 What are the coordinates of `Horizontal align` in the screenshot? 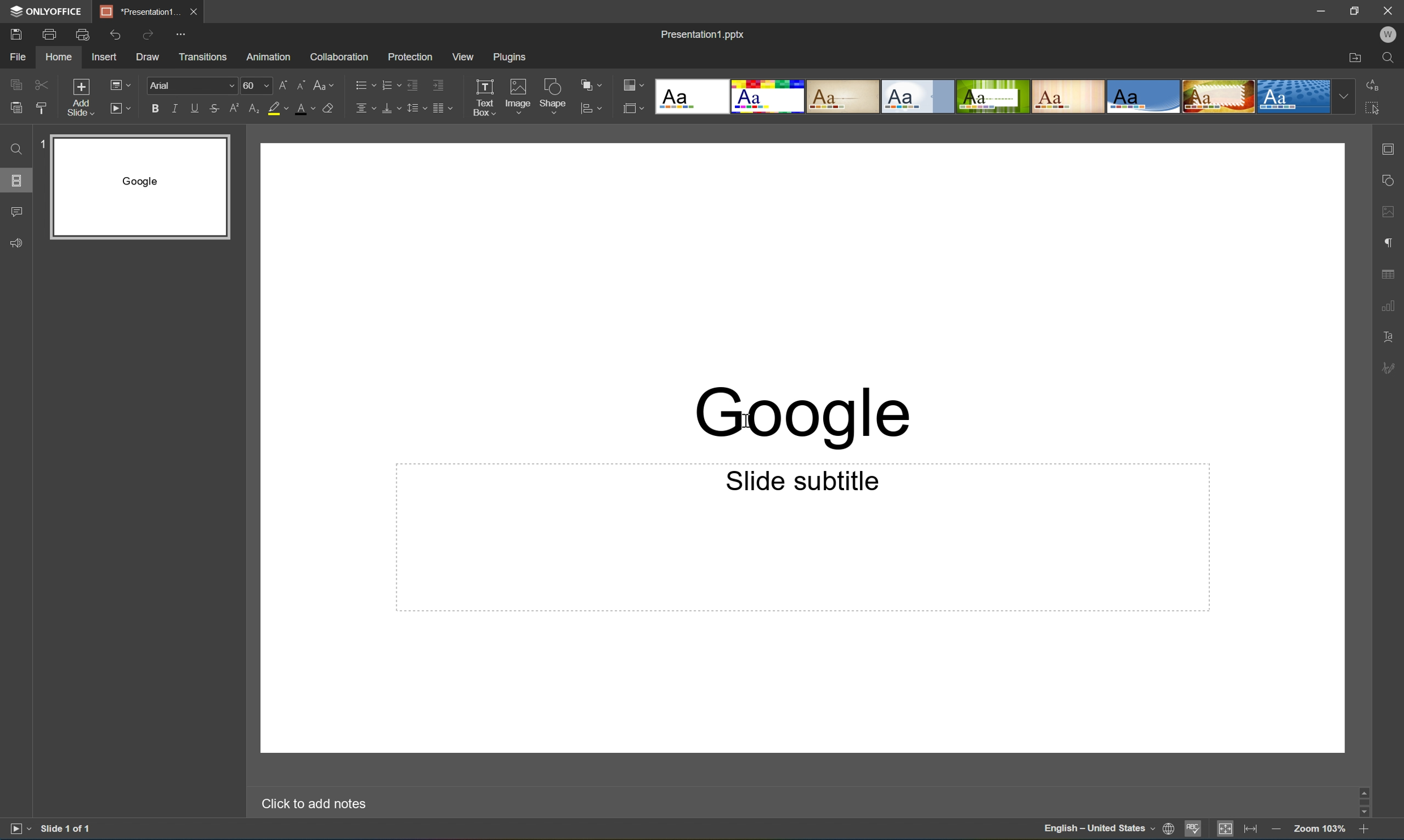 It's located at (366, 110).